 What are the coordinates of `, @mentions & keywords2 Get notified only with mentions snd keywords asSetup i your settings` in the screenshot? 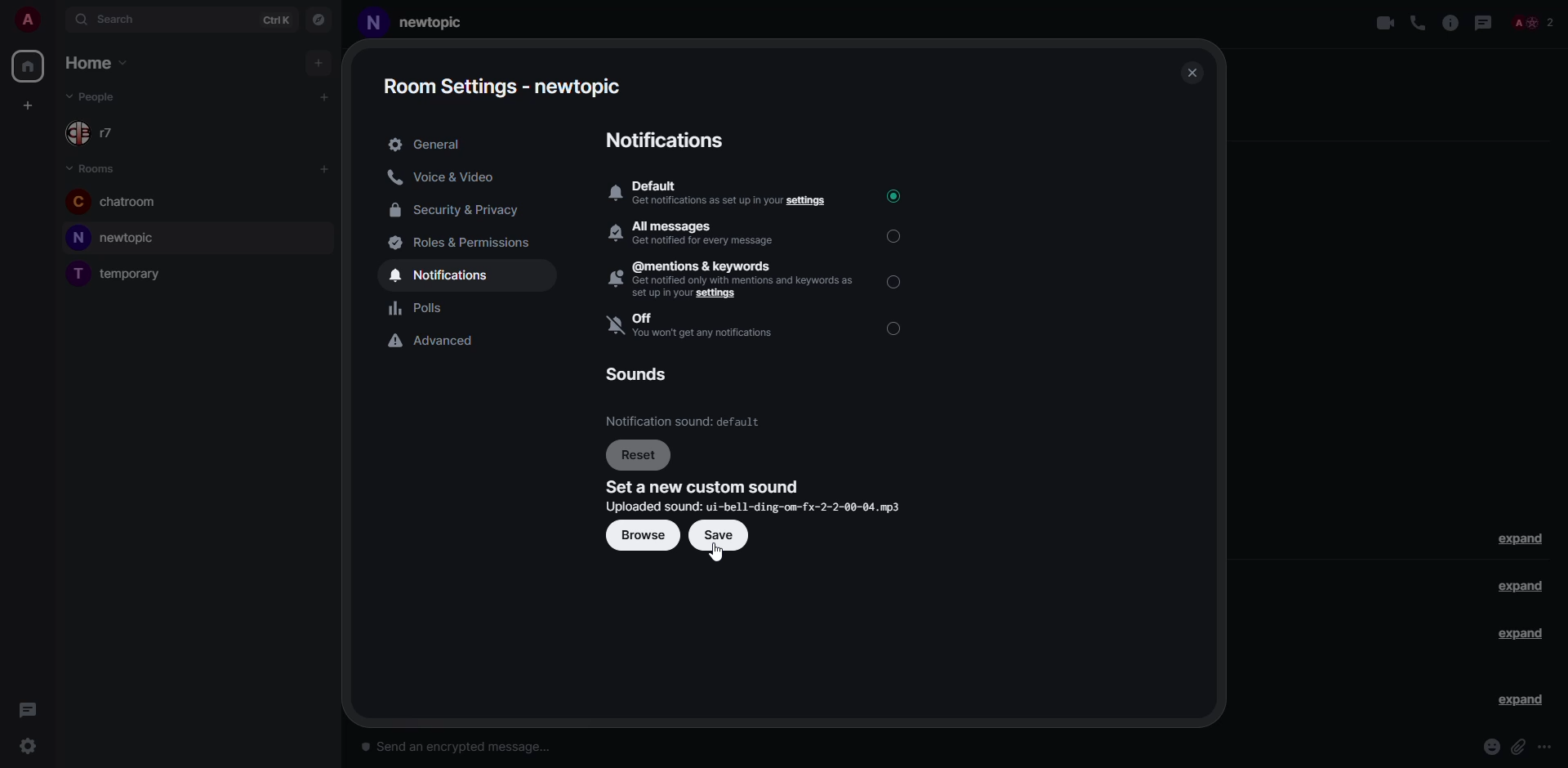 It's located at (733, 279).